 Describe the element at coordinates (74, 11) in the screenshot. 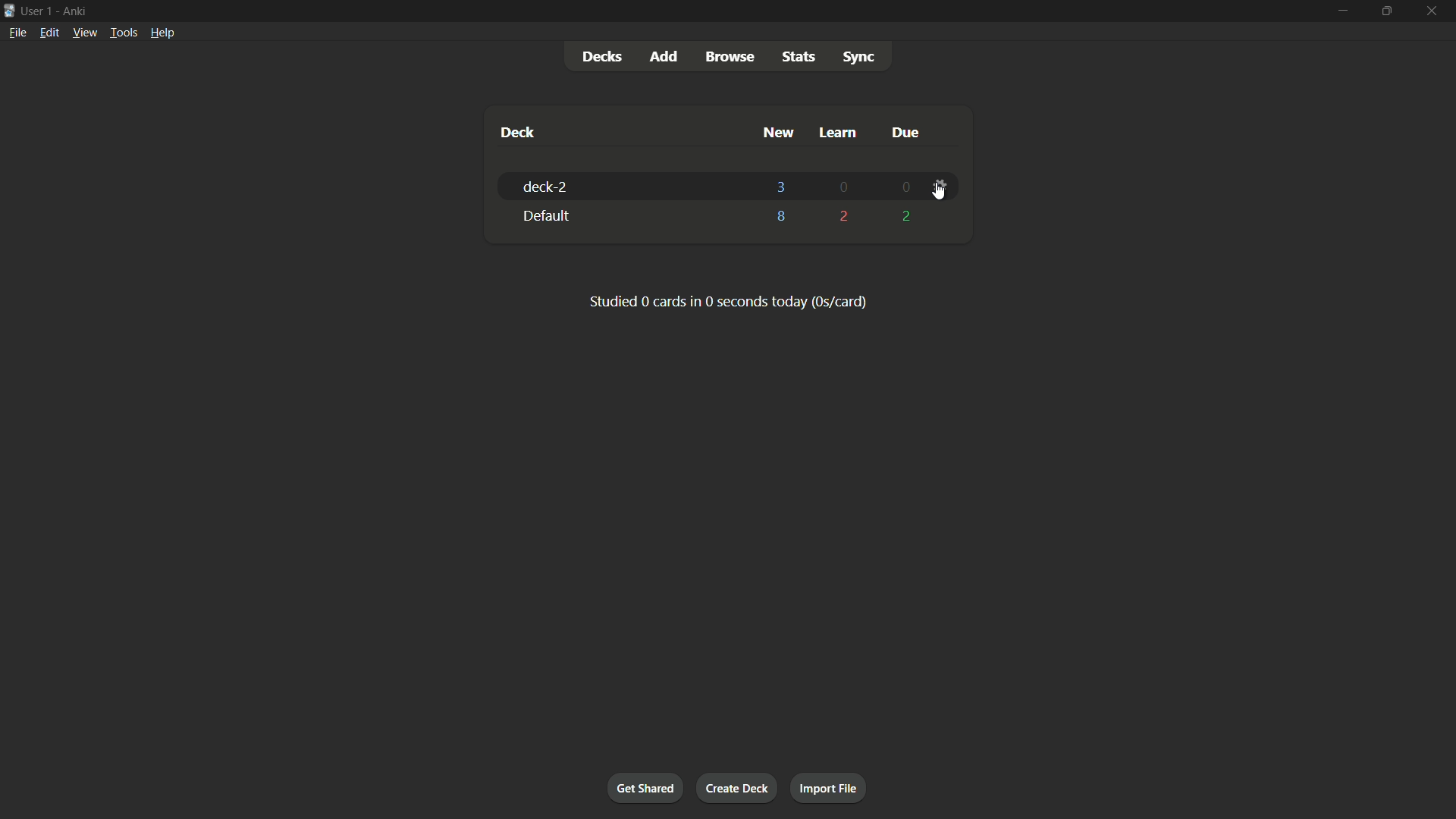

I see `app name` at that location.